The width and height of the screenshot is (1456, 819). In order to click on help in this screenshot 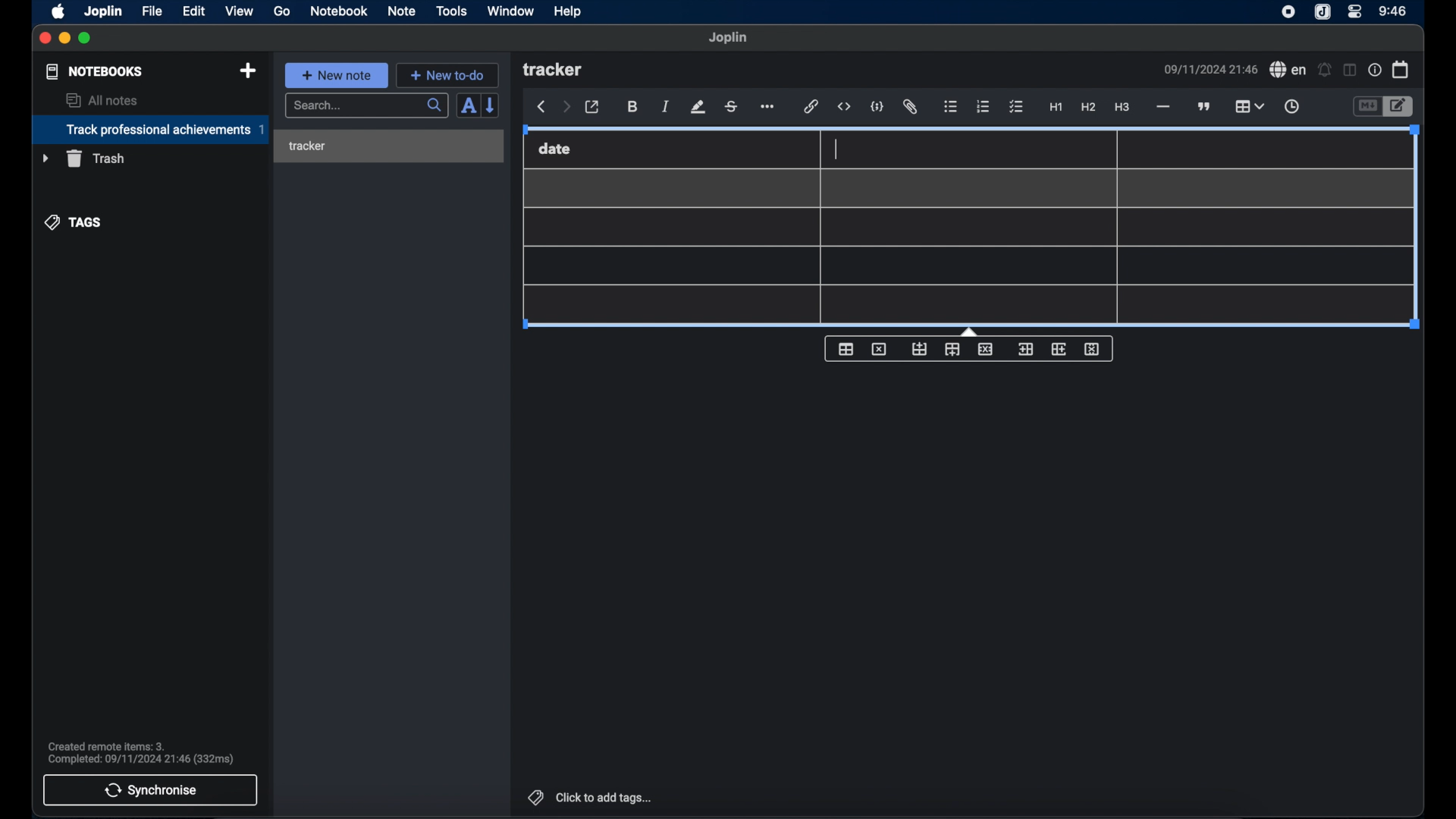, I will do `click(566, 12)`.